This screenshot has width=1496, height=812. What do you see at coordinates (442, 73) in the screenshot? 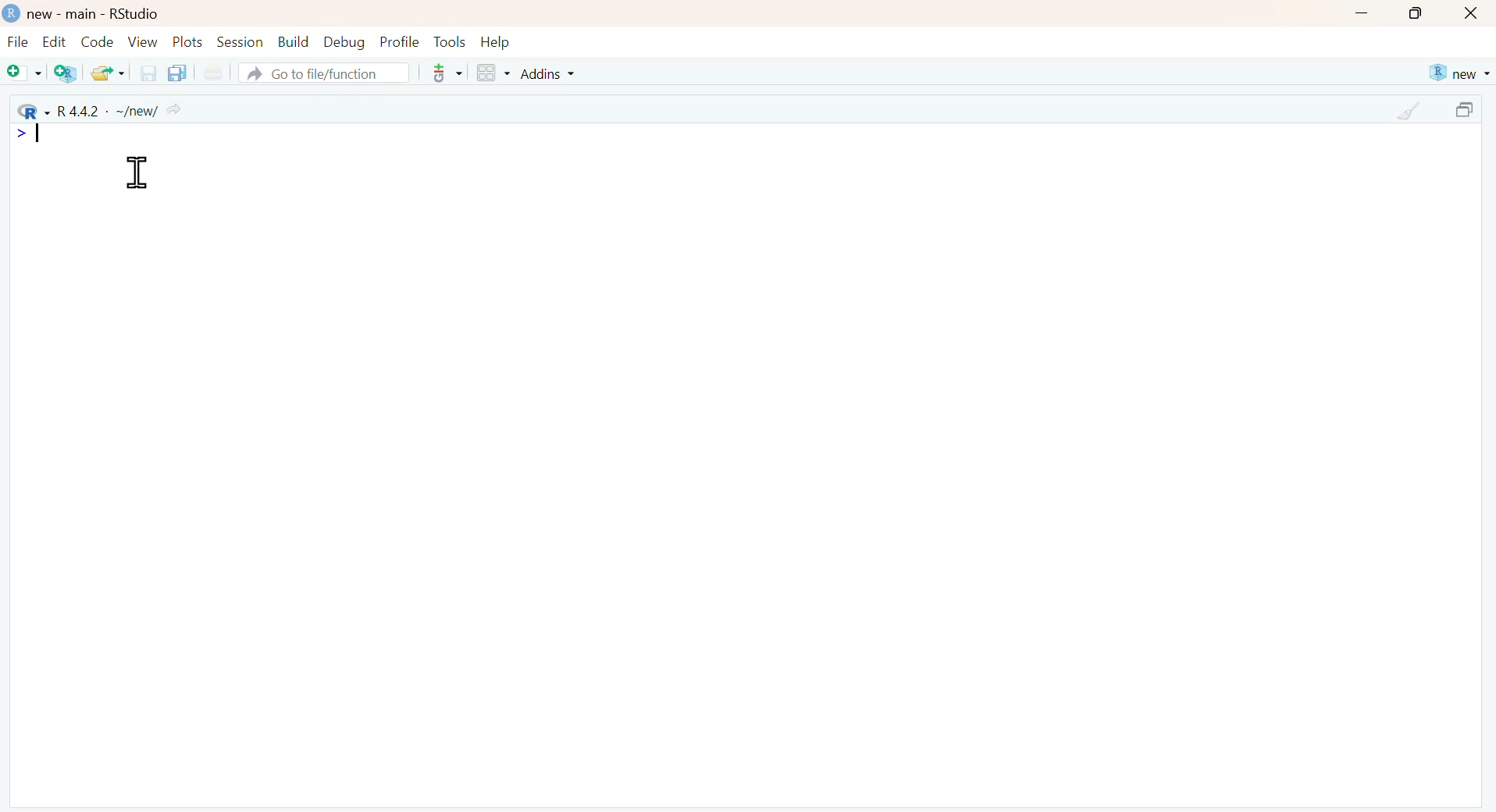
I see `more options` at bounding box center [442, 73].